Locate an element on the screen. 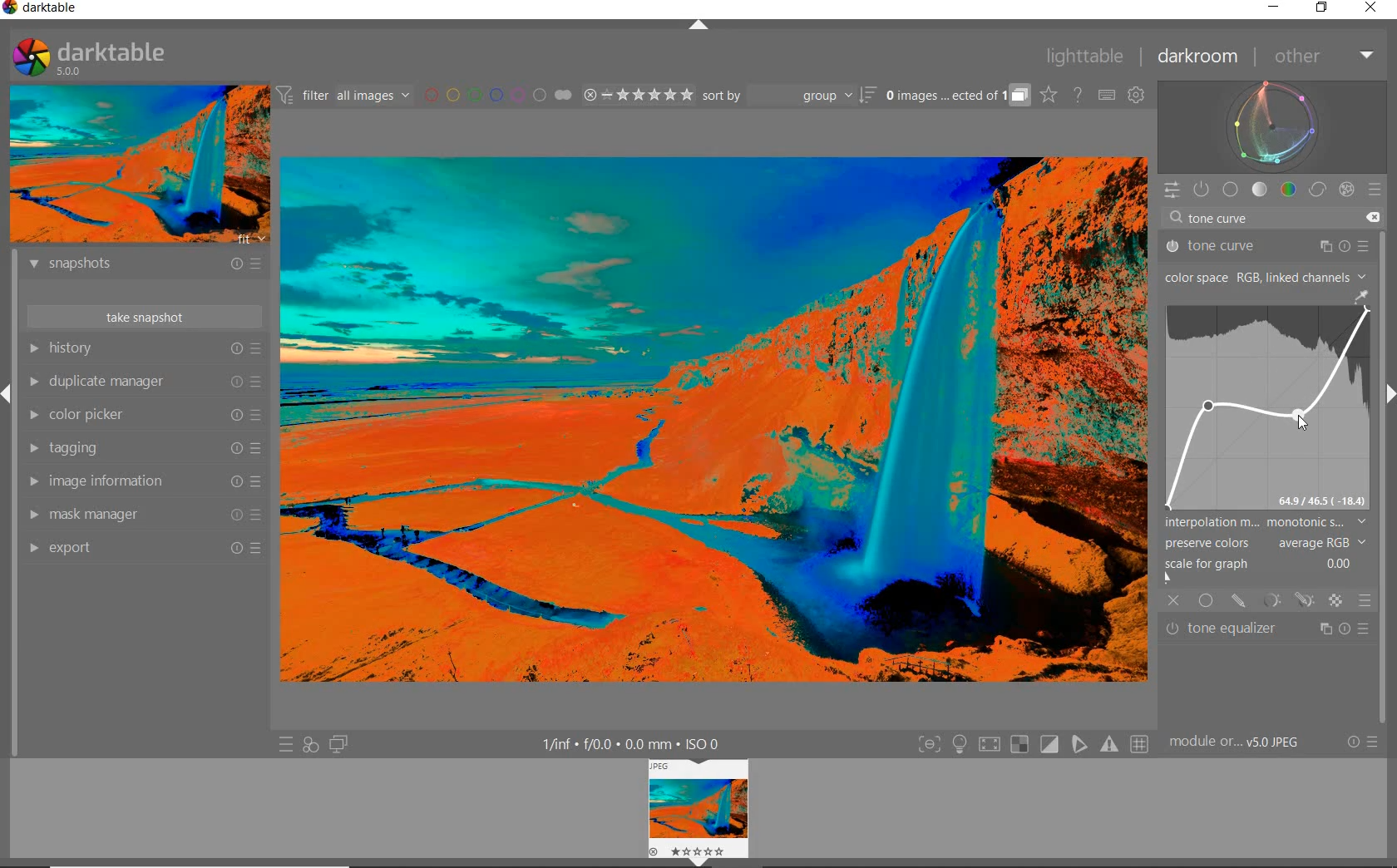 Image resolution: width=1397 pixels, height=868 pixels. CURSOR is located at coordinates (1281, 350).